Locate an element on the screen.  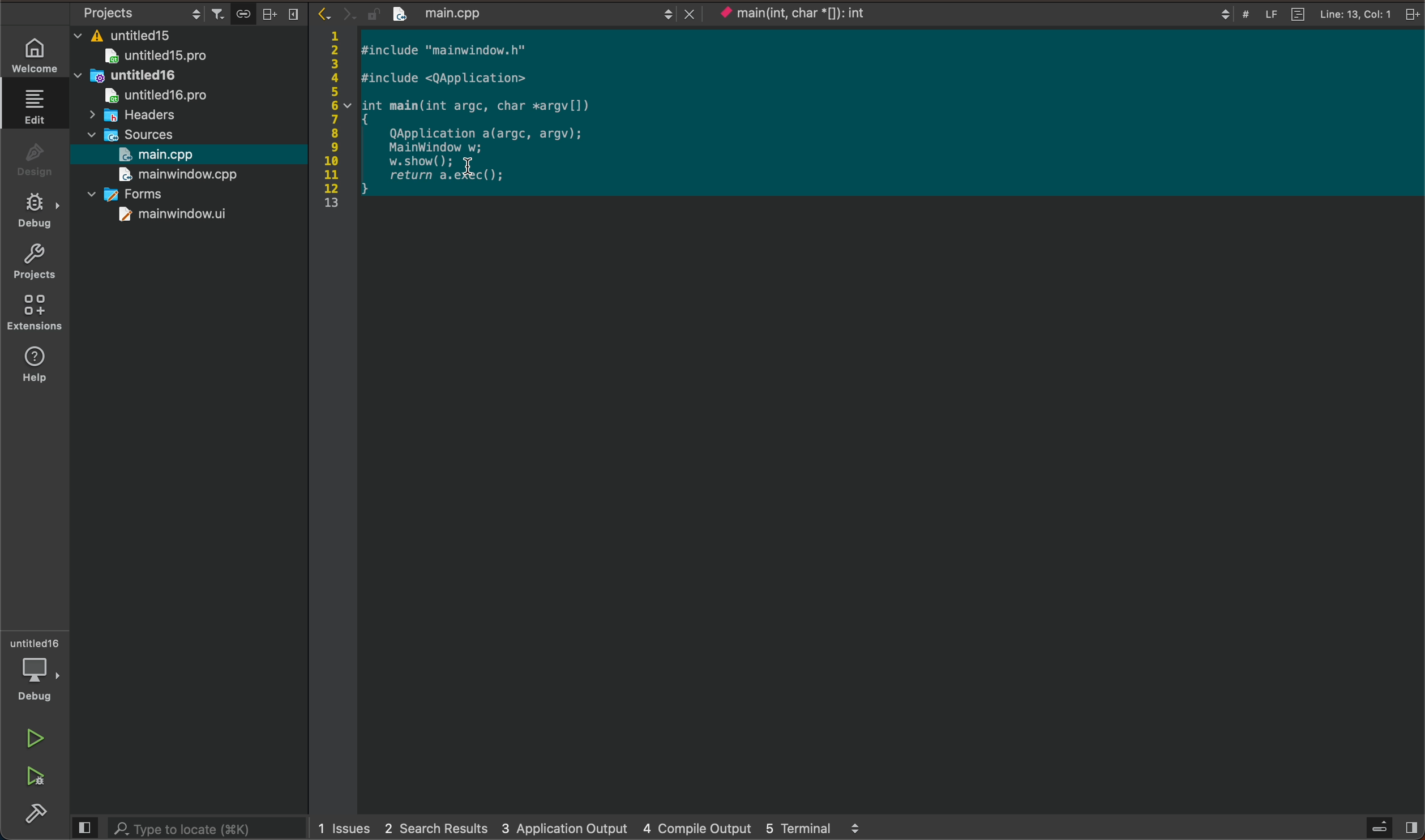
debug is located at coordinates (35, 212).